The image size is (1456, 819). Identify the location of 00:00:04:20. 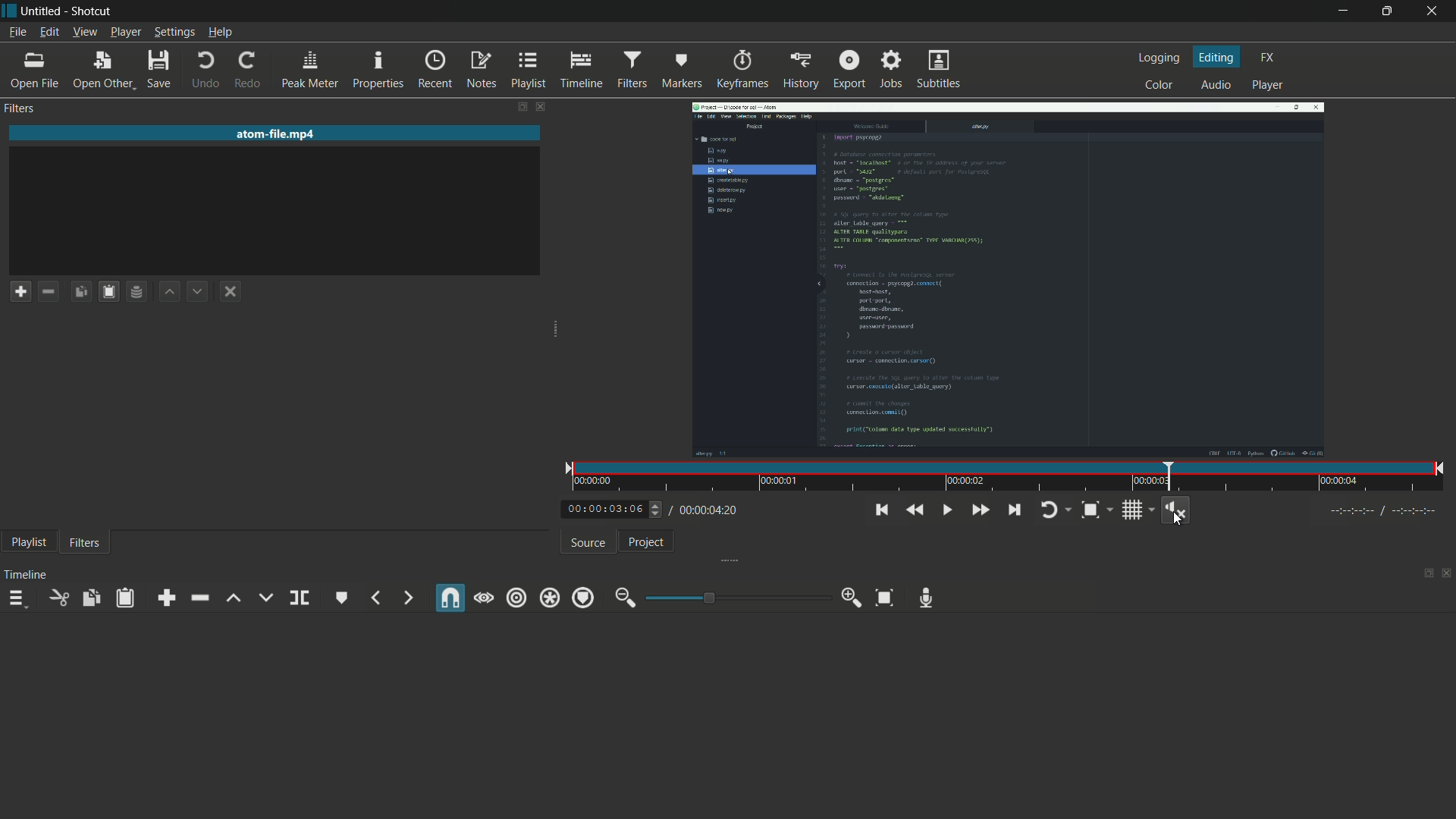
(707, 511).